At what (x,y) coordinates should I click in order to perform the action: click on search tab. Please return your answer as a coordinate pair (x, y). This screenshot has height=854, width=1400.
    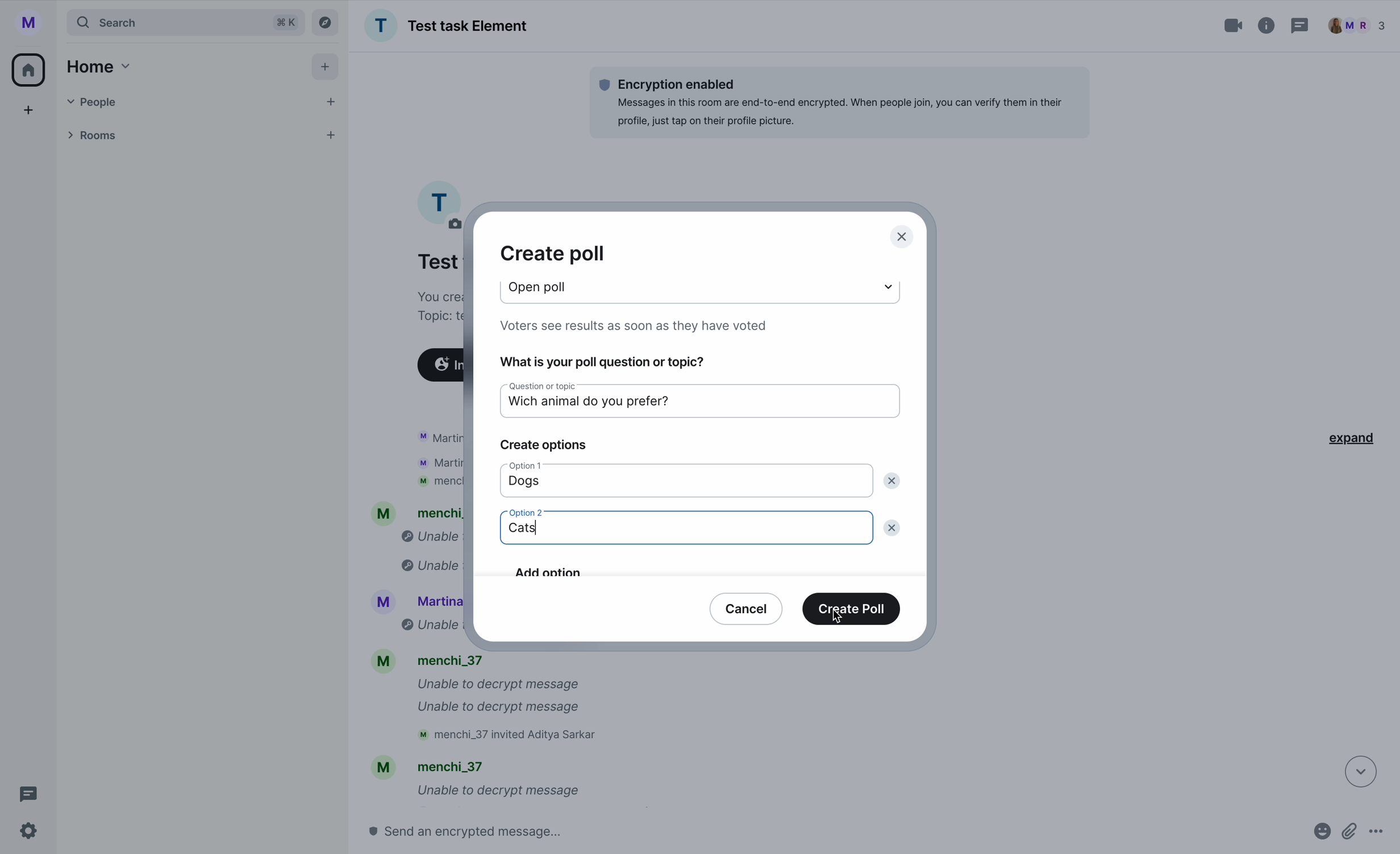
    Looking at the image, I should click on (185, 22).